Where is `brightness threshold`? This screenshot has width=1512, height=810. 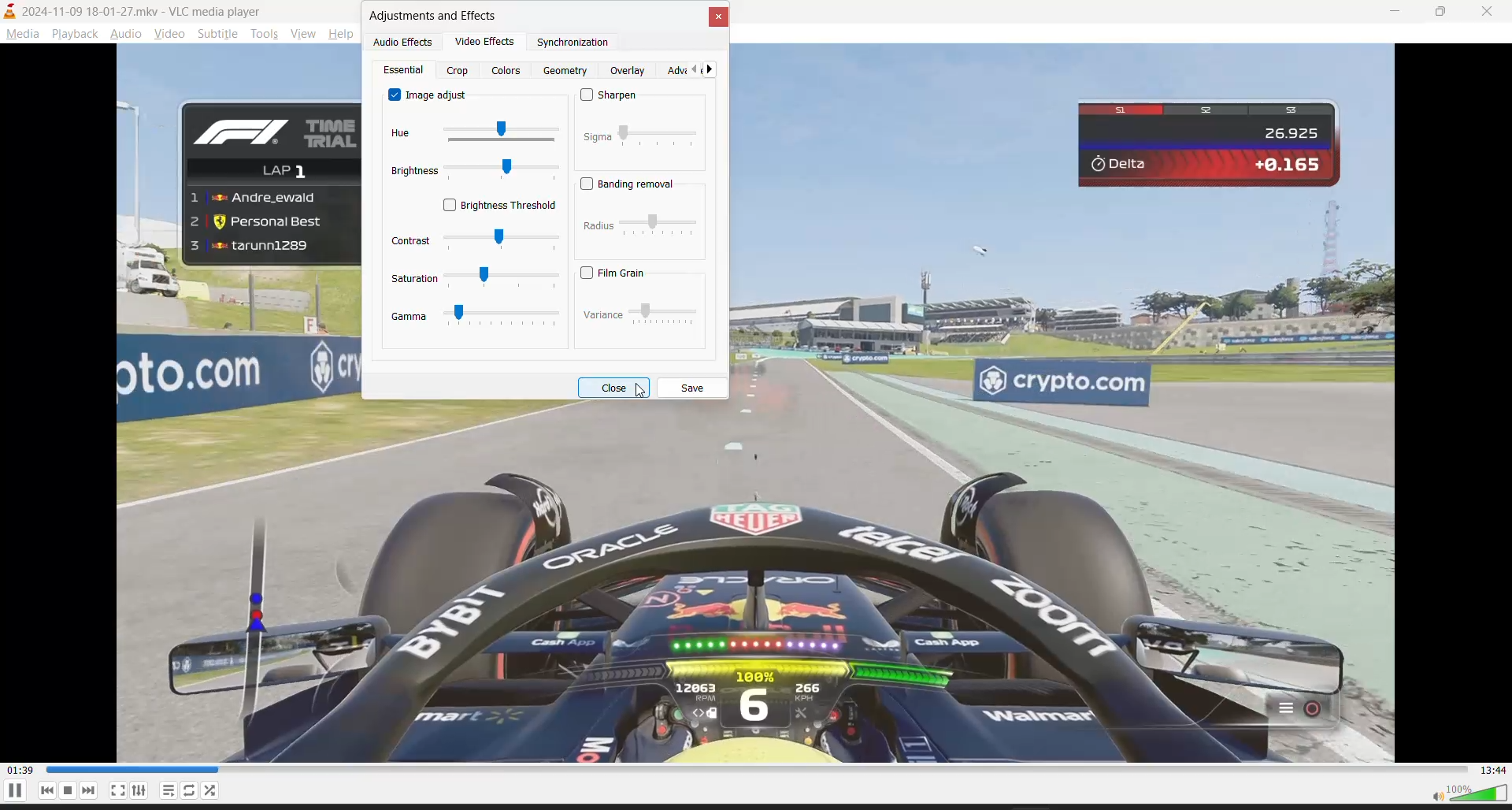 brightness threshold is located at coordinates (498, 206).